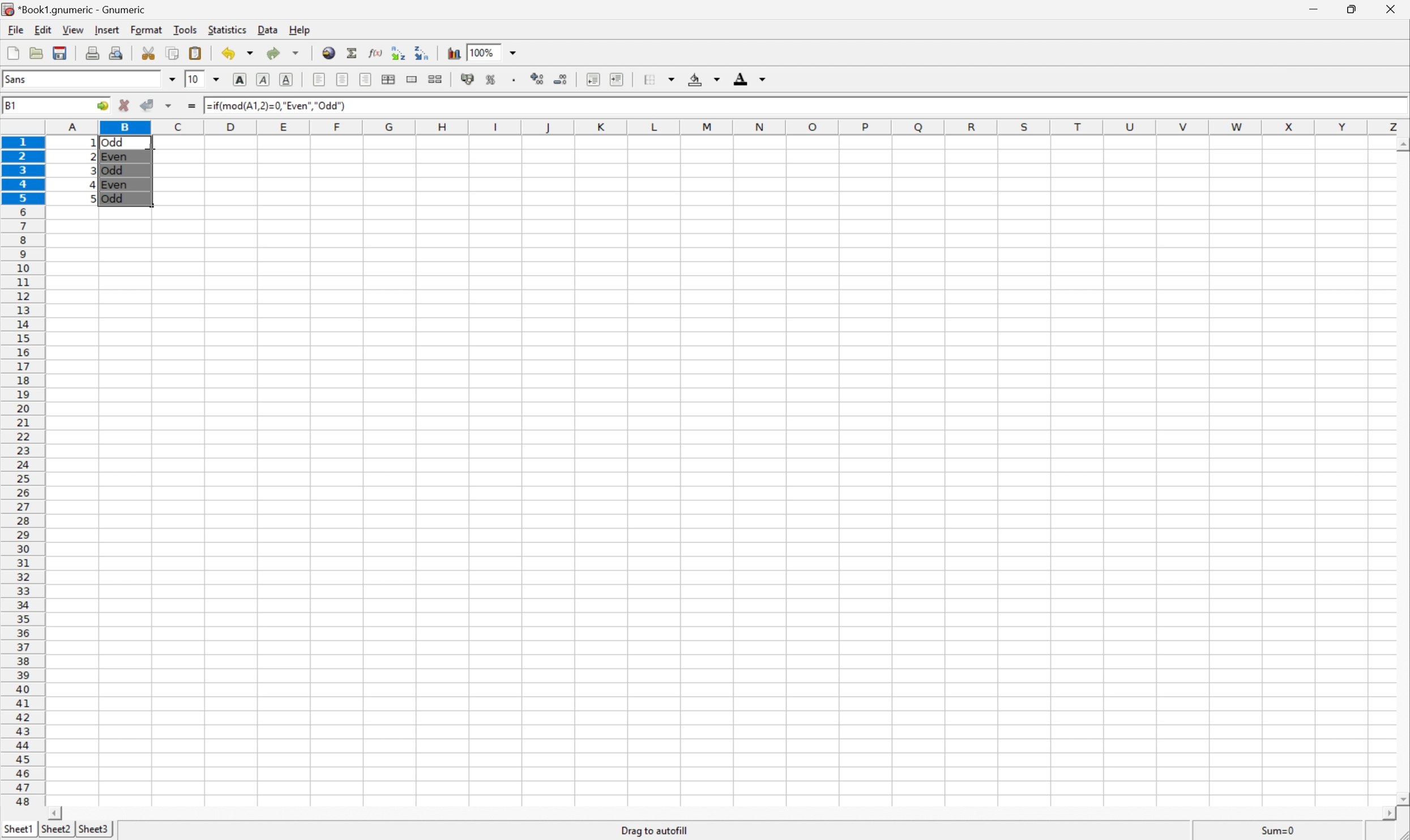 This screenshot has width=1410, height=840. What do you see at coordinates (421, 52) in the screenshot?
I see `Sort the selected region in descending order based on the first column selected` at bounding box center [421, 52].